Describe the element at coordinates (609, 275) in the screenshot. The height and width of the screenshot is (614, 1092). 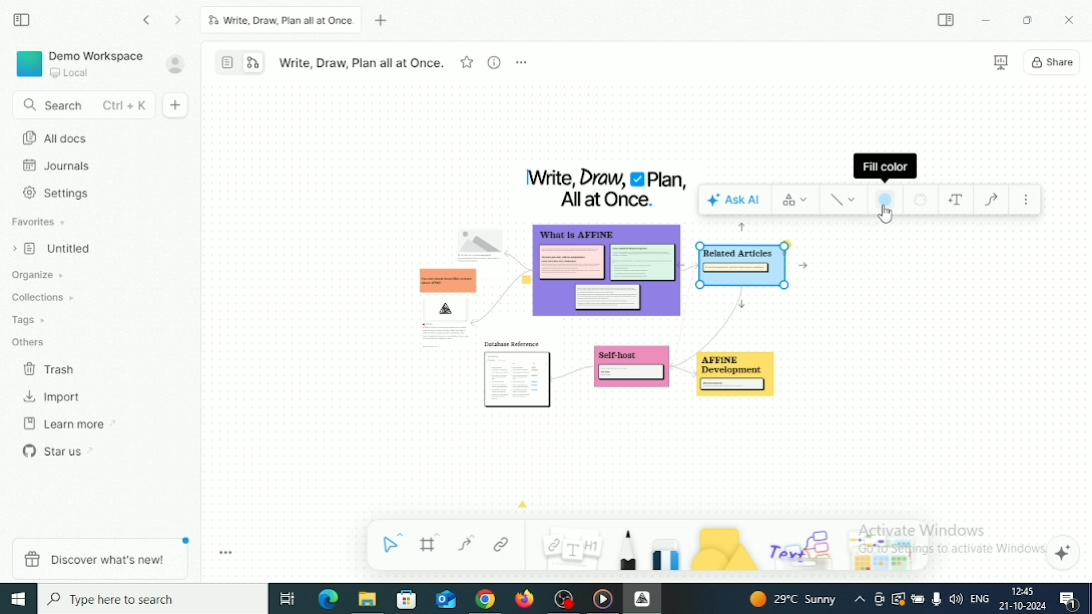
I see `Sticky notes` at that location.